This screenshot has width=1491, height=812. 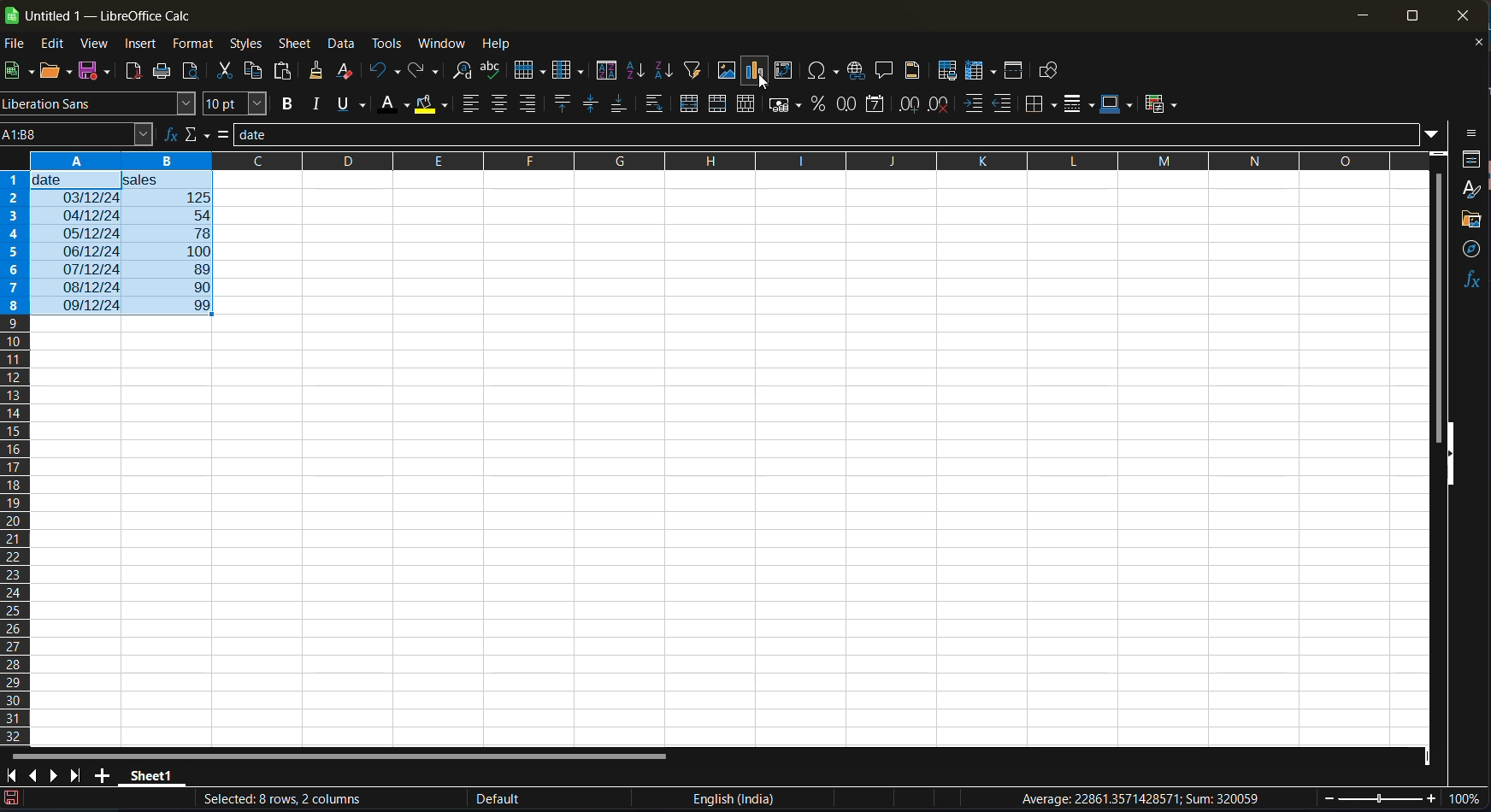 What do you see at coordinates (1002, 102) in the screenshot?
I see `decrease indent` at bounding box center [1002, 102].